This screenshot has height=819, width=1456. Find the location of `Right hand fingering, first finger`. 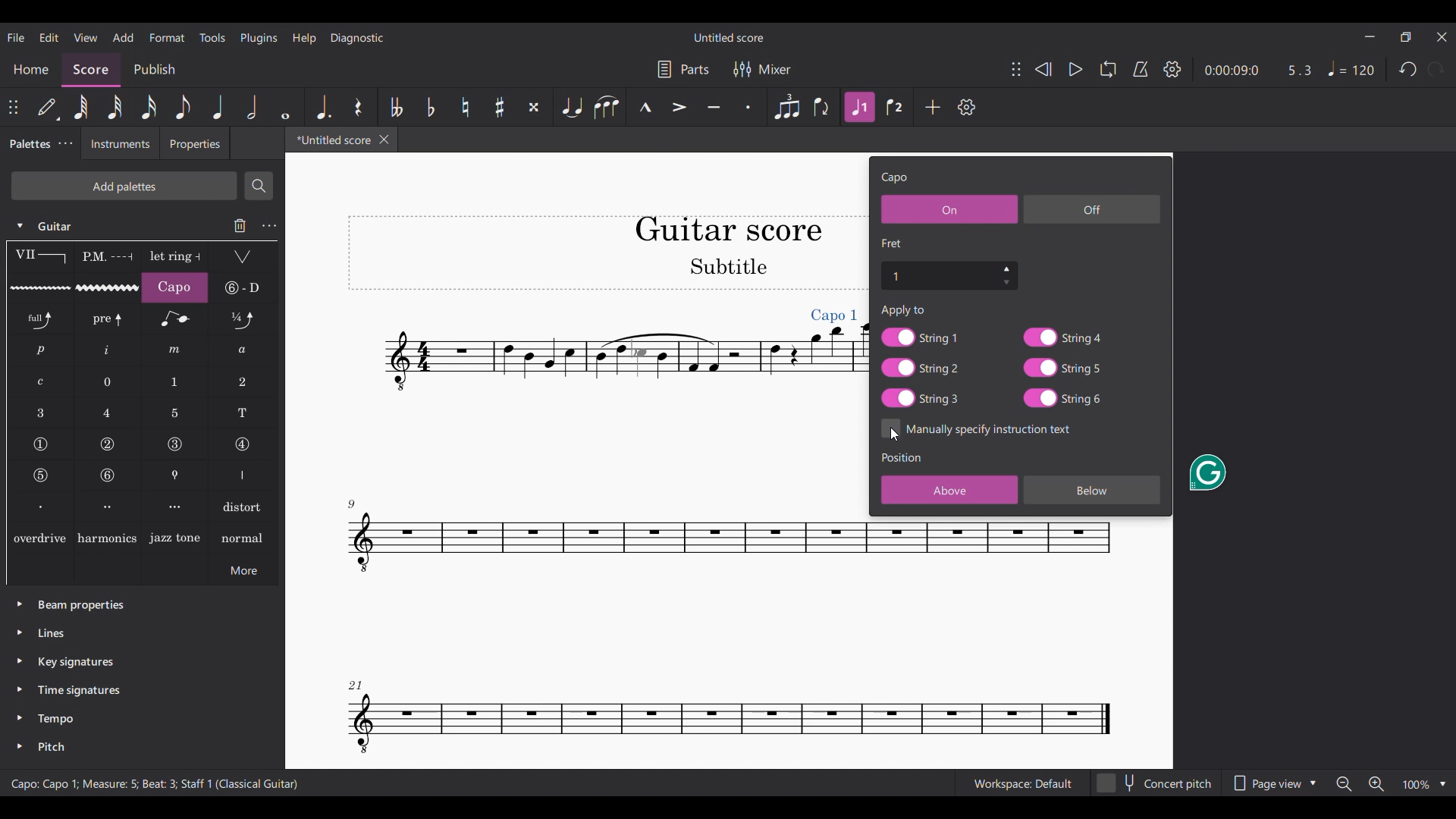

Right hand fingering, first finger is located at coordinates (39, 506).